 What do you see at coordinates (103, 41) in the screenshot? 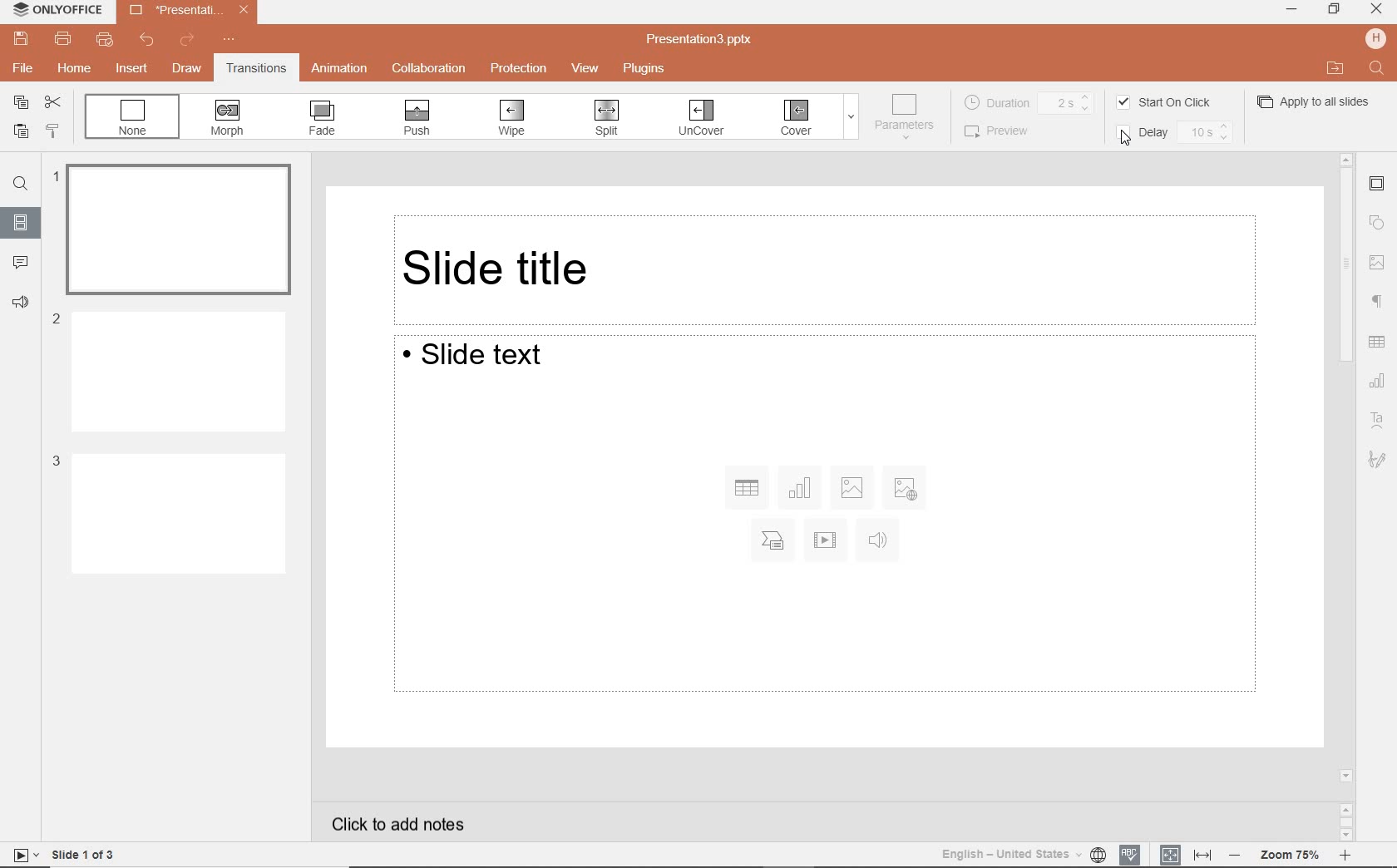
I see `quick print` at bounding box center [103, 41].